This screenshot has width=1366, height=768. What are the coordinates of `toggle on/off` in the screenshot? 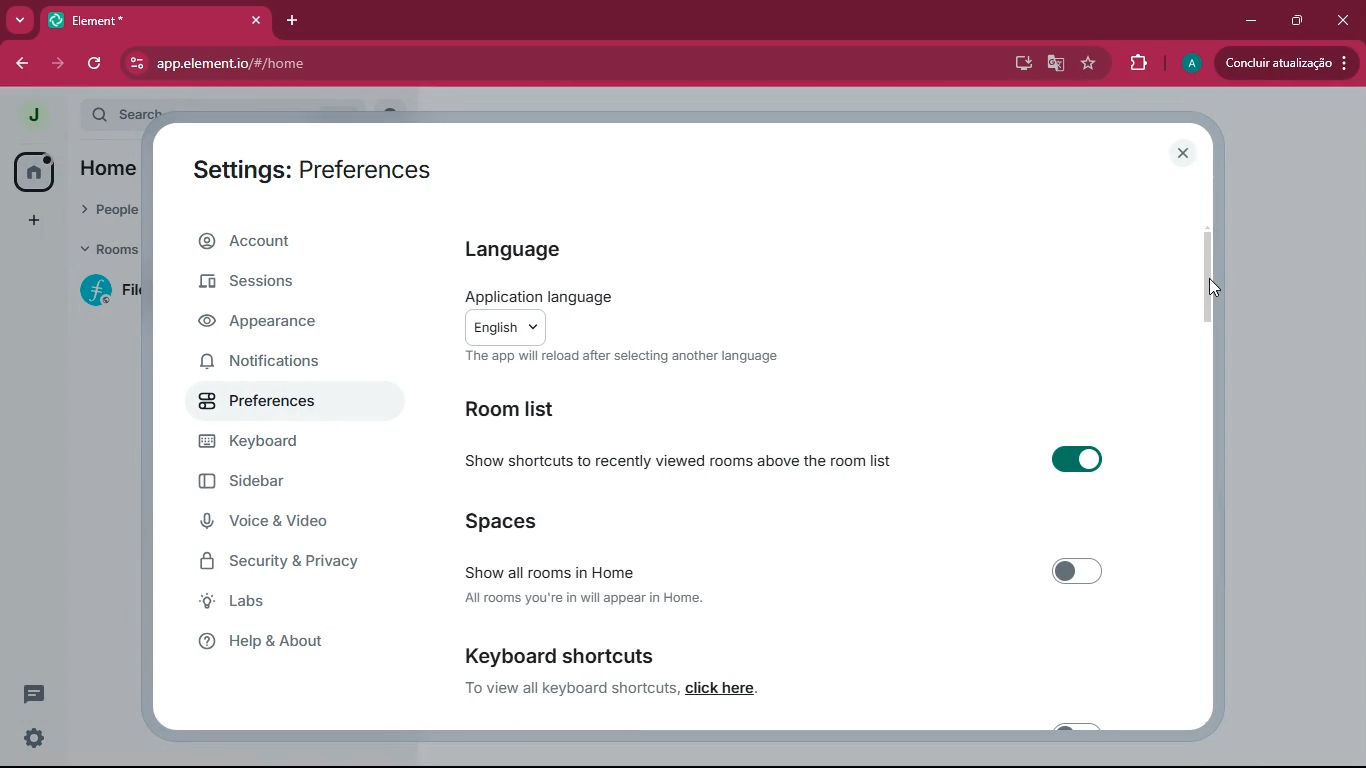 It's located at (1078, 459).